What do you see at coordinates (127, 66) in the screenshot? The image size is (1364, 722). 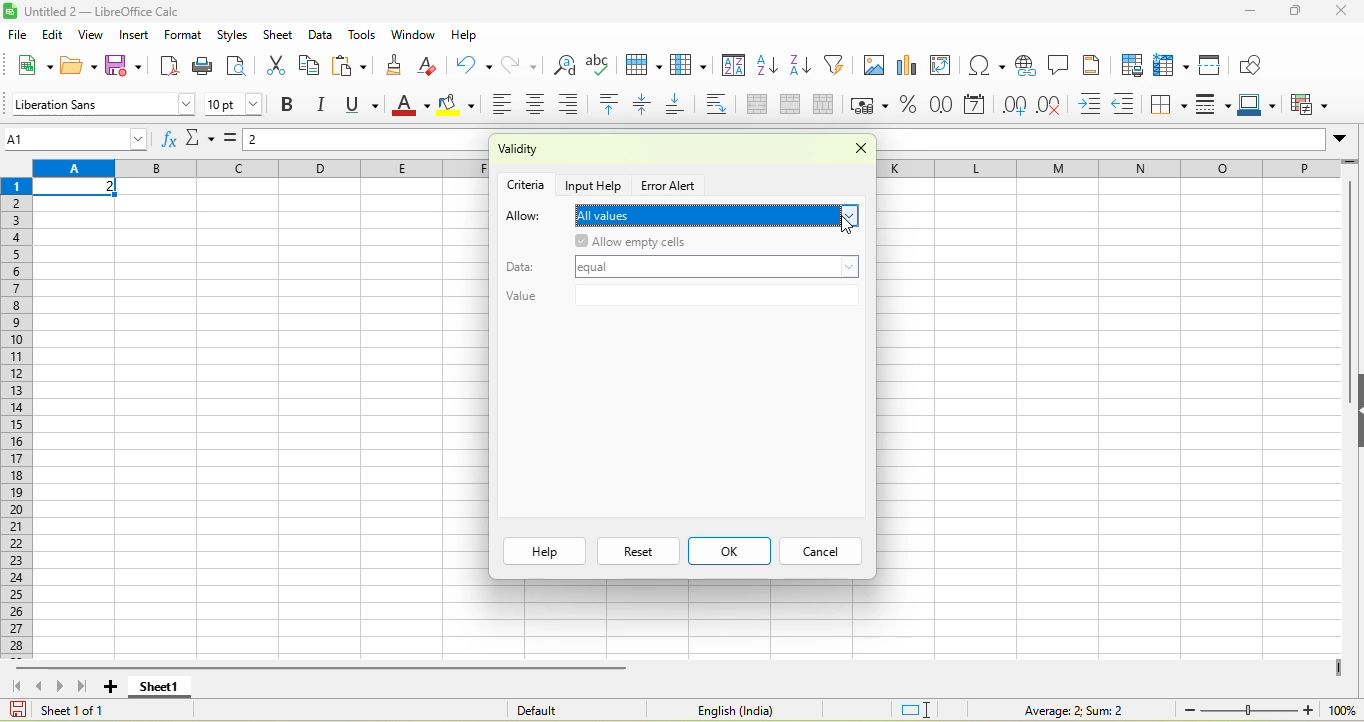 I see `save` at bounding box center [127, 66].